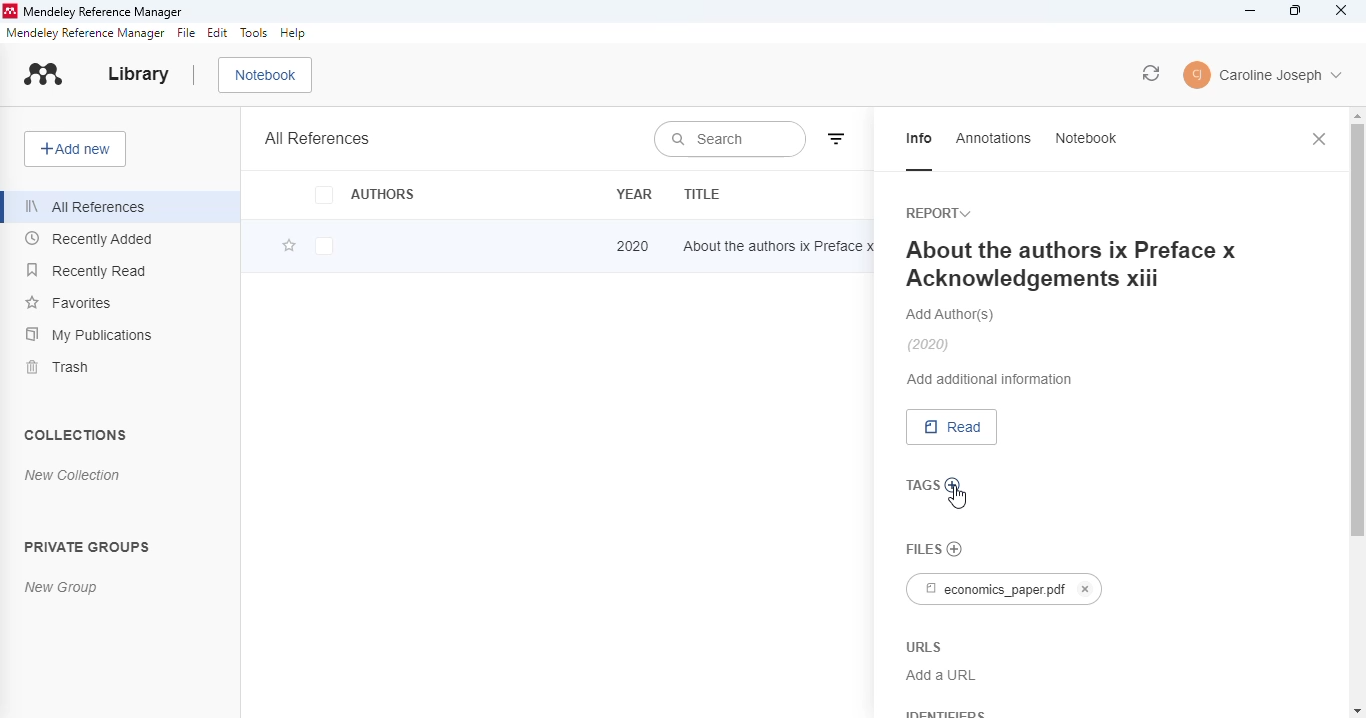 The height and width of the screenshot is (718, 1366). I want to click on all references, so click(85, 206).